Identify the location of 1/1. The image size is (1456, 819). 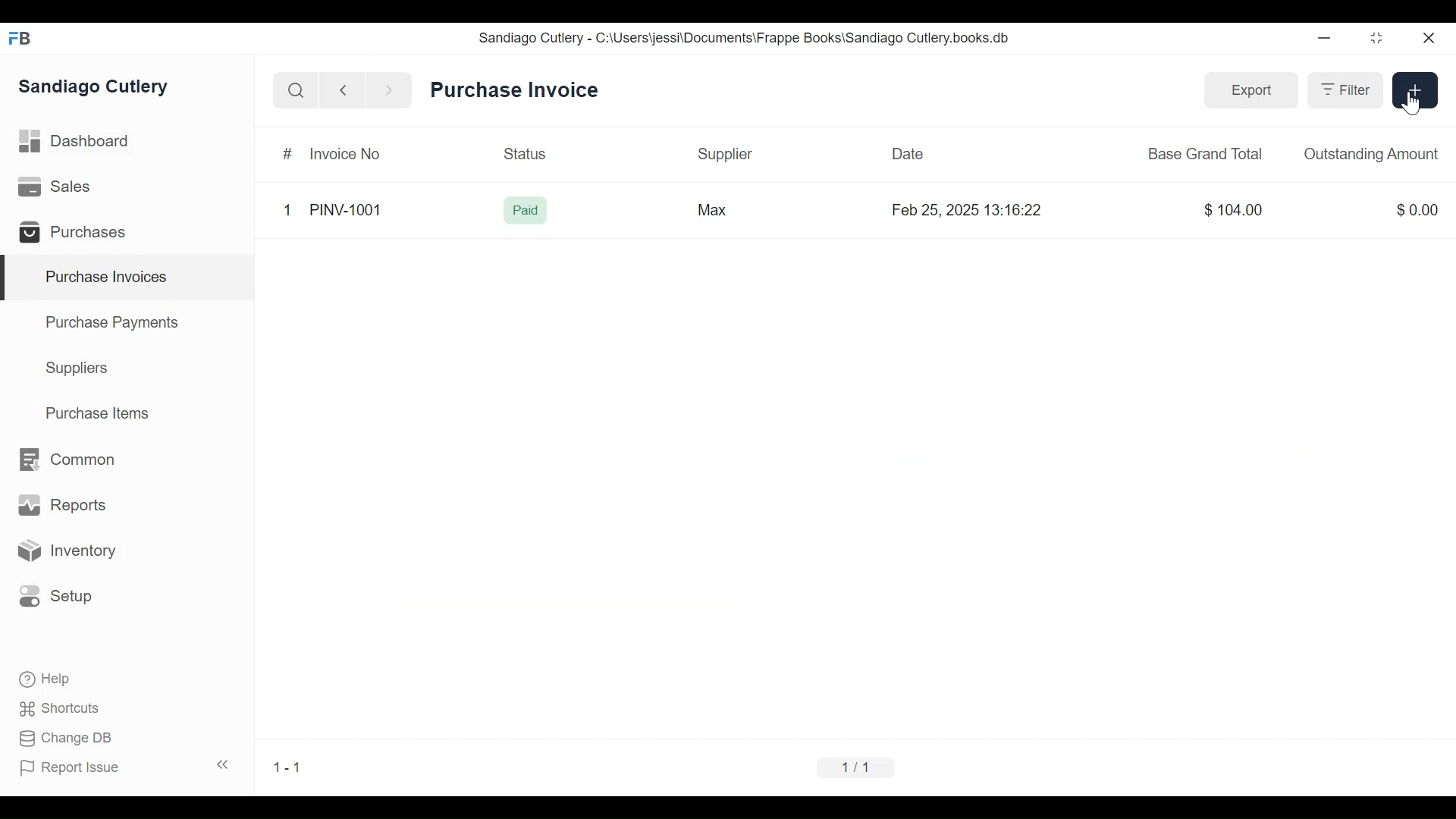
(856, 767).